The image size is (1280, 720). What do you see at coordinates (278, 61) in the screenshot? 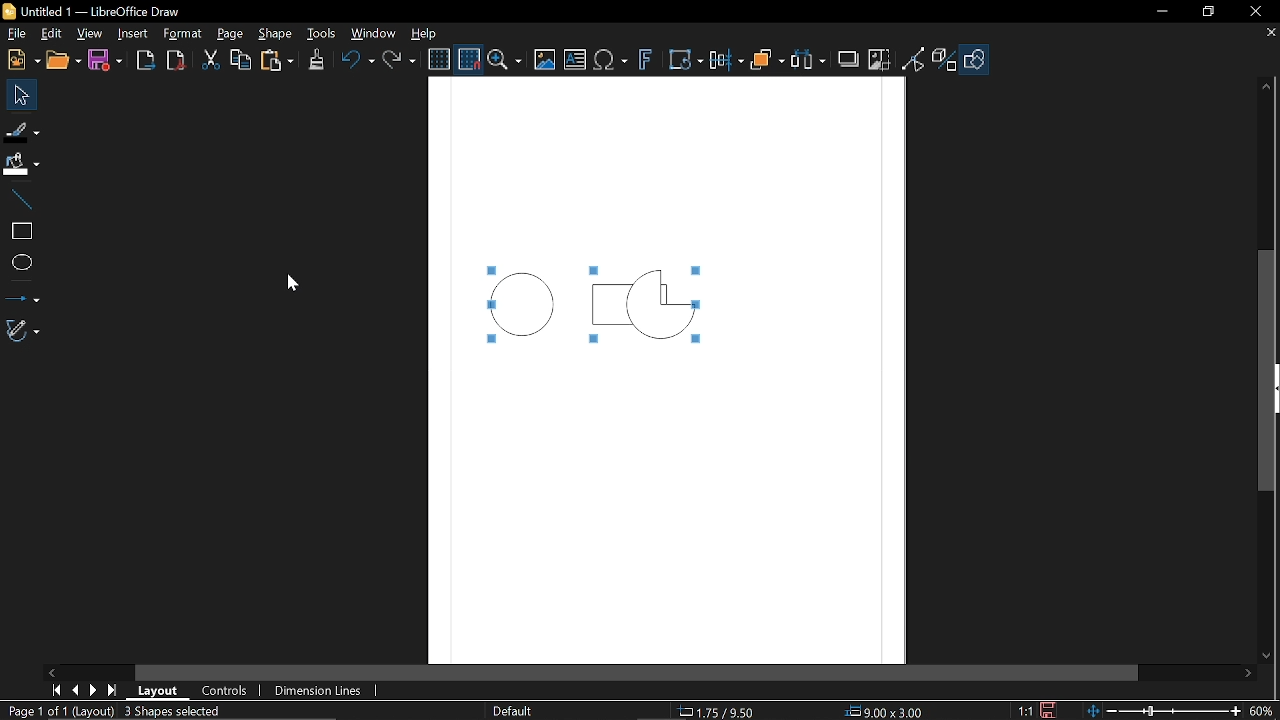
I see `paste` at bounding box center [278, 61].